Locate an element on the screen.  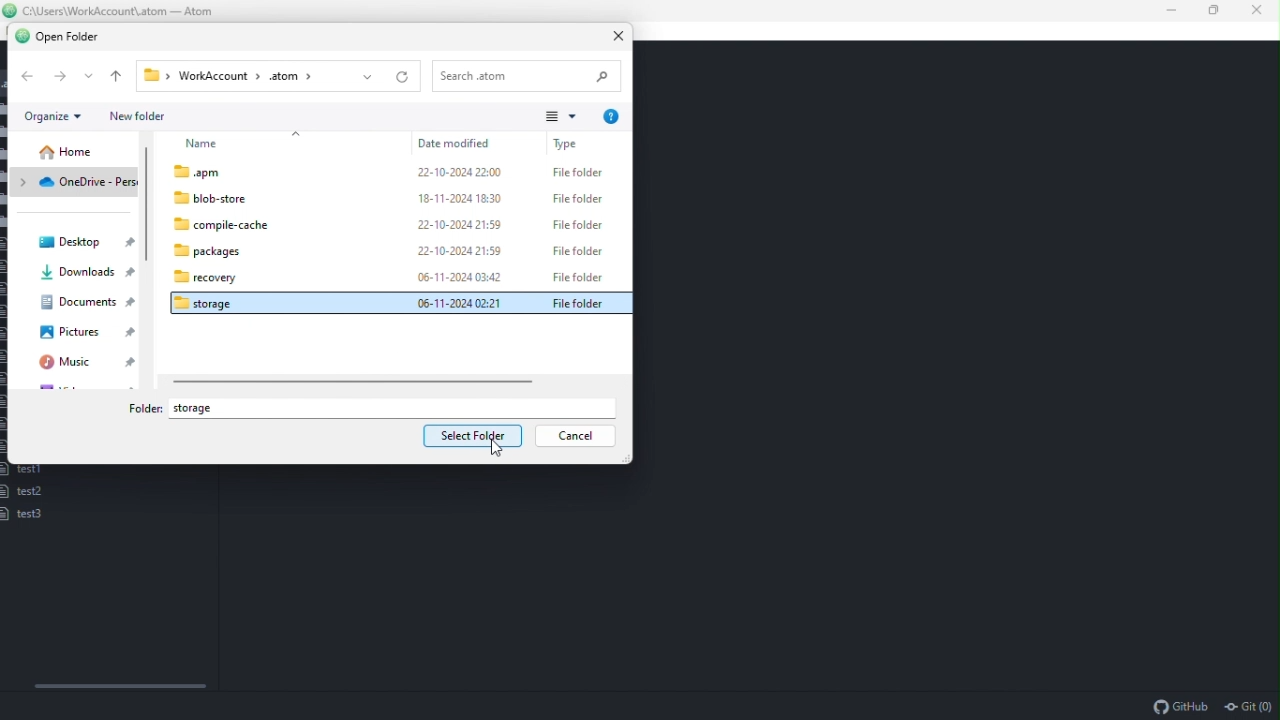
Cancel is located at coordinates (575, 438).